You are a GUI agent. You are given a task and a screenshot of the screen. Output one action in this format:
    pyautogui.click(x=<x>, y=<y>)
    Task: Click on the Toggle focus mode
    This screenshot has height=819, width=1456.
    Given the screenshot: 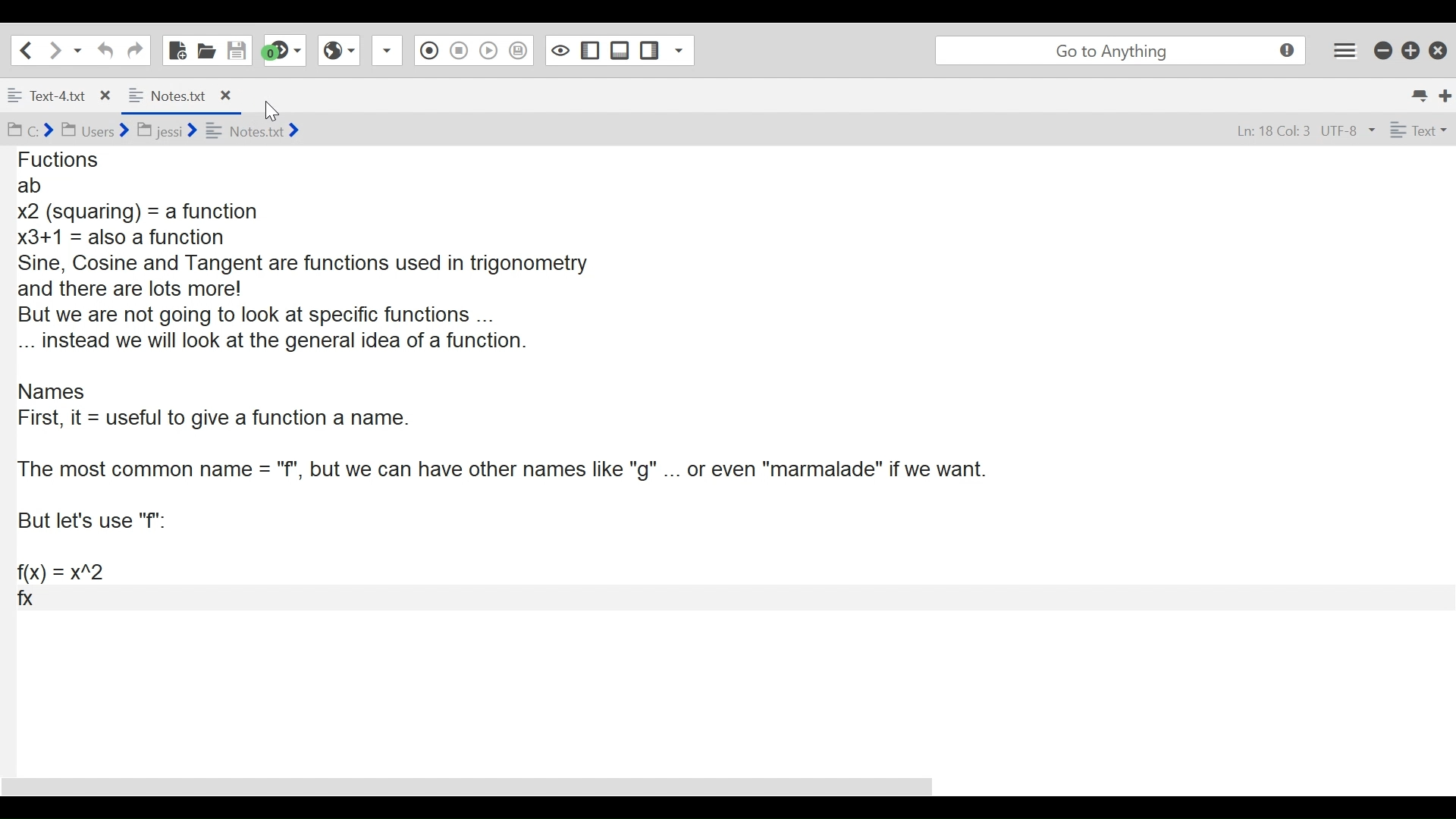 What is the action you would take?
    pyautogui.click(x=558, y=50)
    